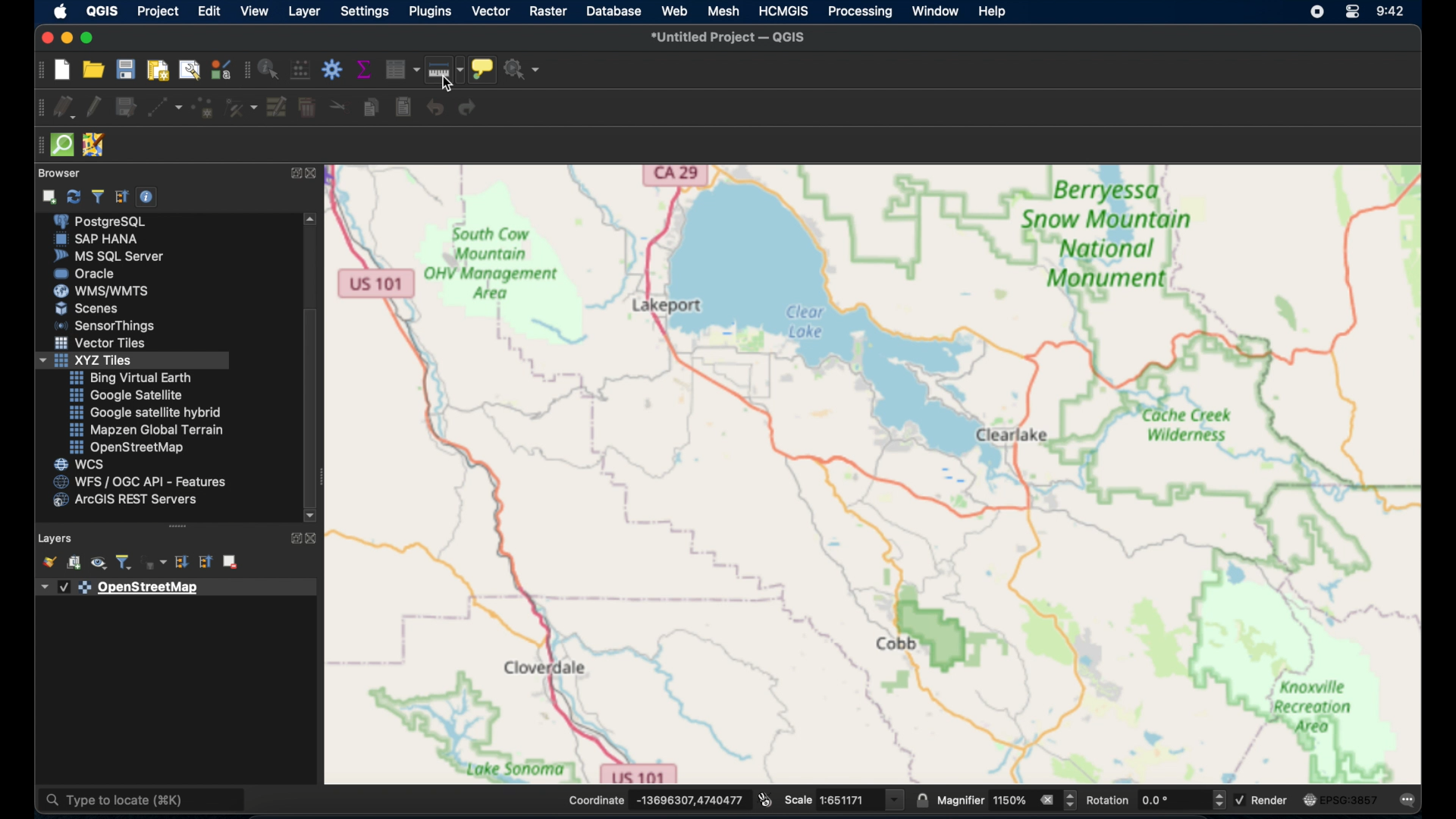  I want to click on add point features, so click(203, 108).